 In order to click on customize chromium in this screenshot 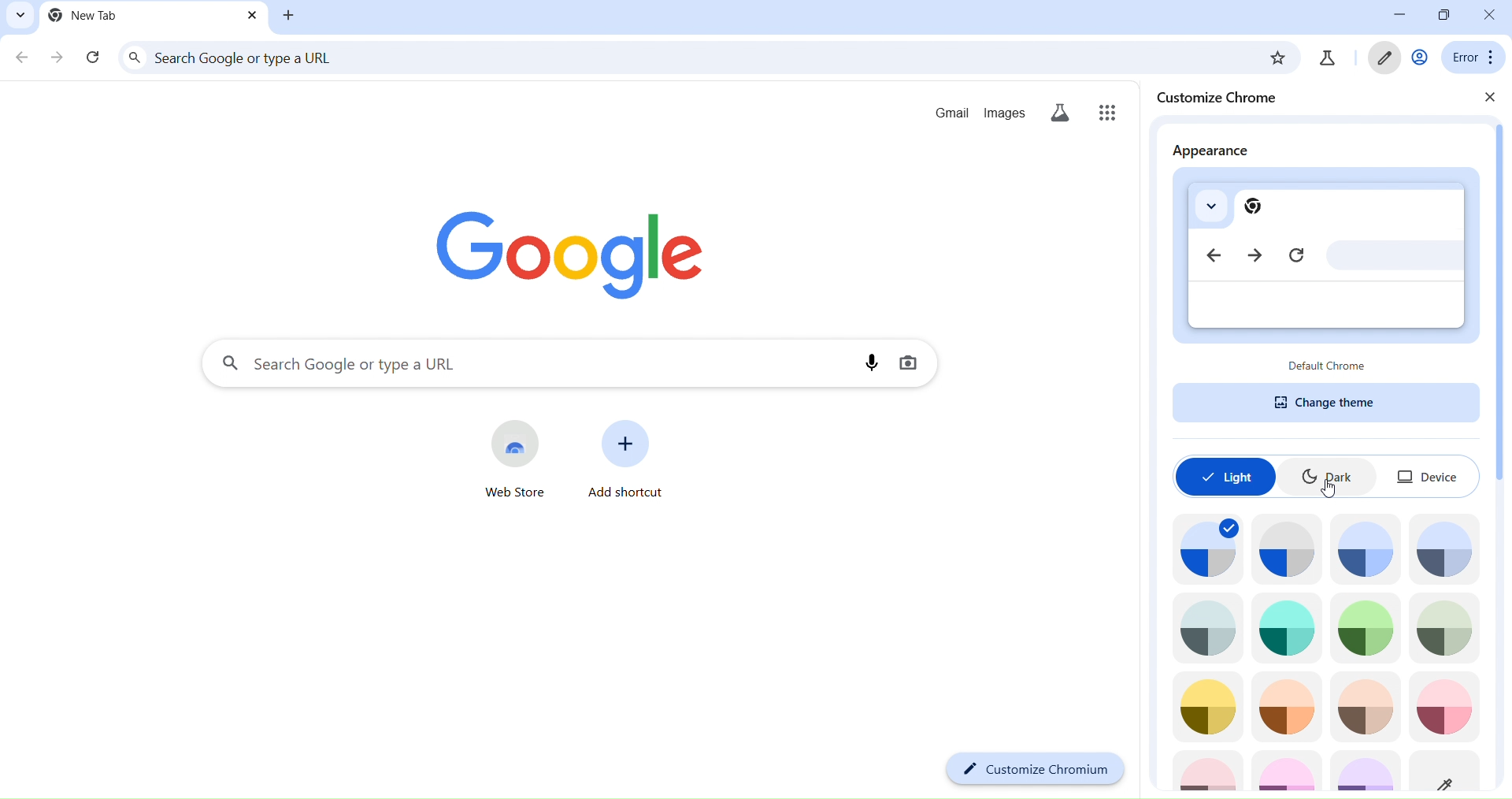, I will do `click(1383, 59)`.